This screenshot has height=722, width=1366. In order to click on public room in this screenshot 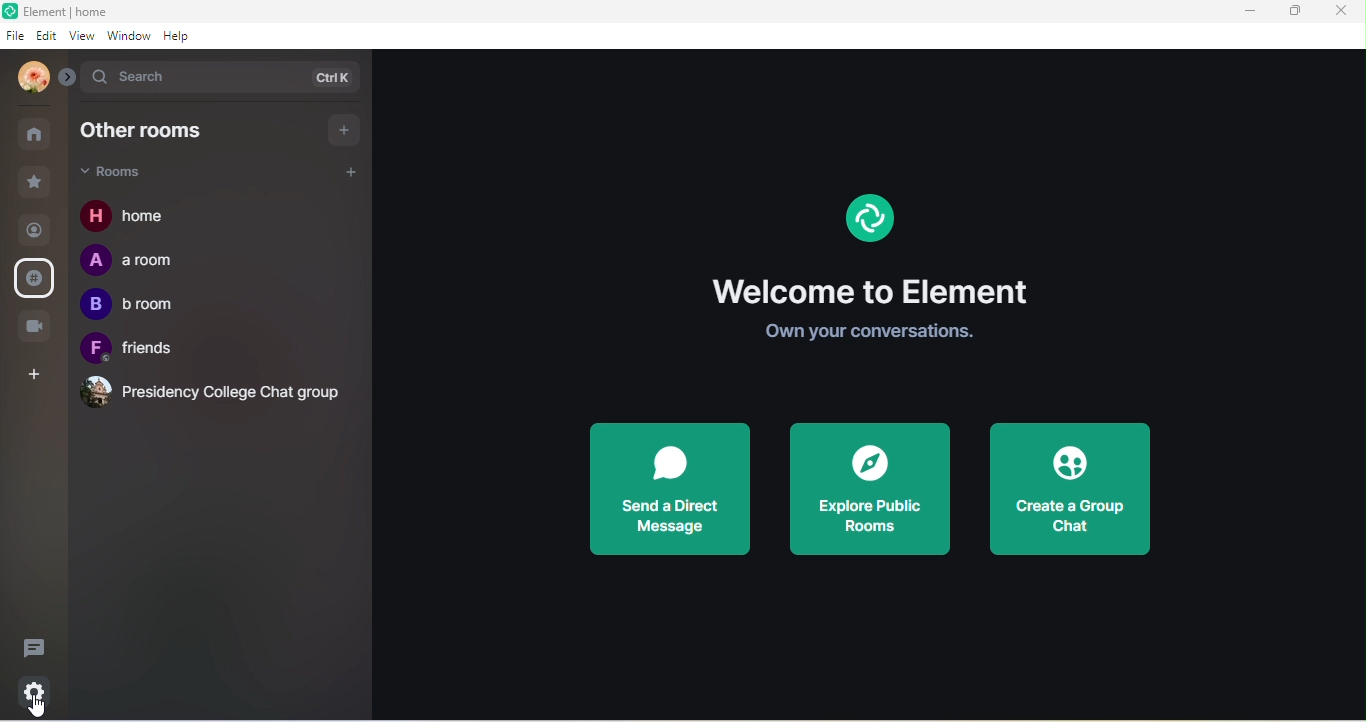, I will do `click(35, 277)`.